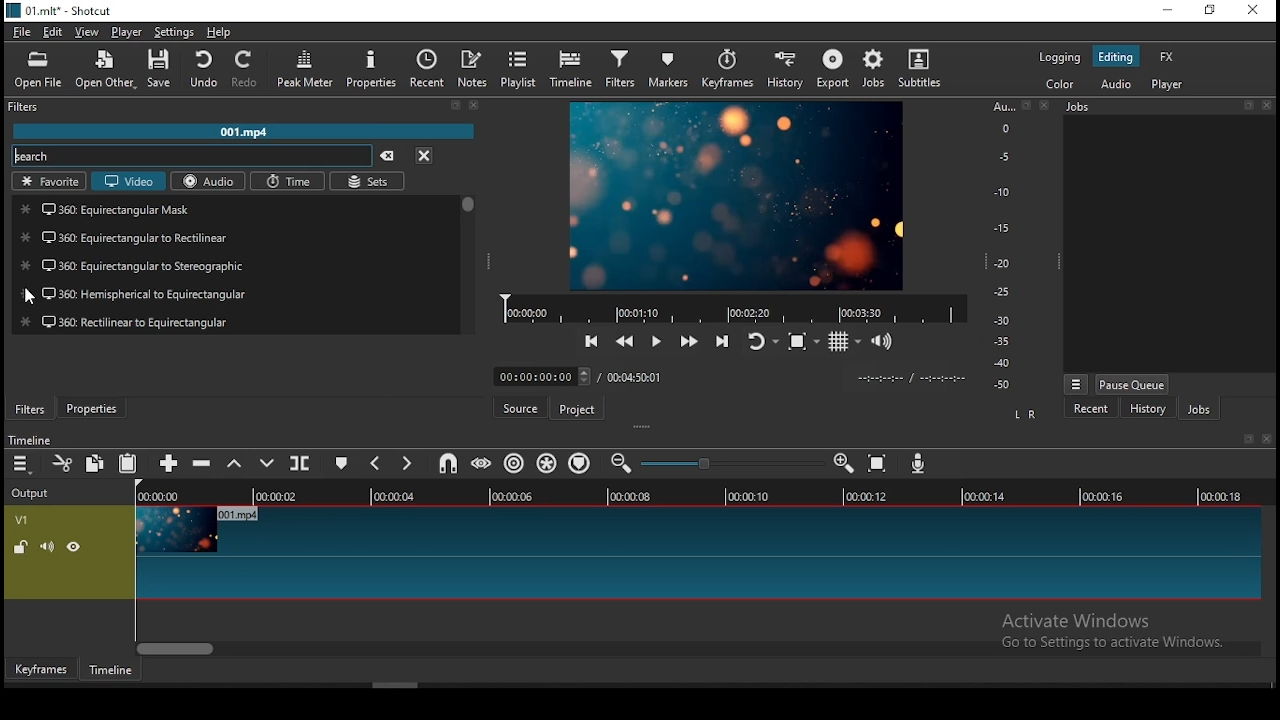  Describe the element at coordinates (231, 464) in the screenshot. I see `lift` at that location.